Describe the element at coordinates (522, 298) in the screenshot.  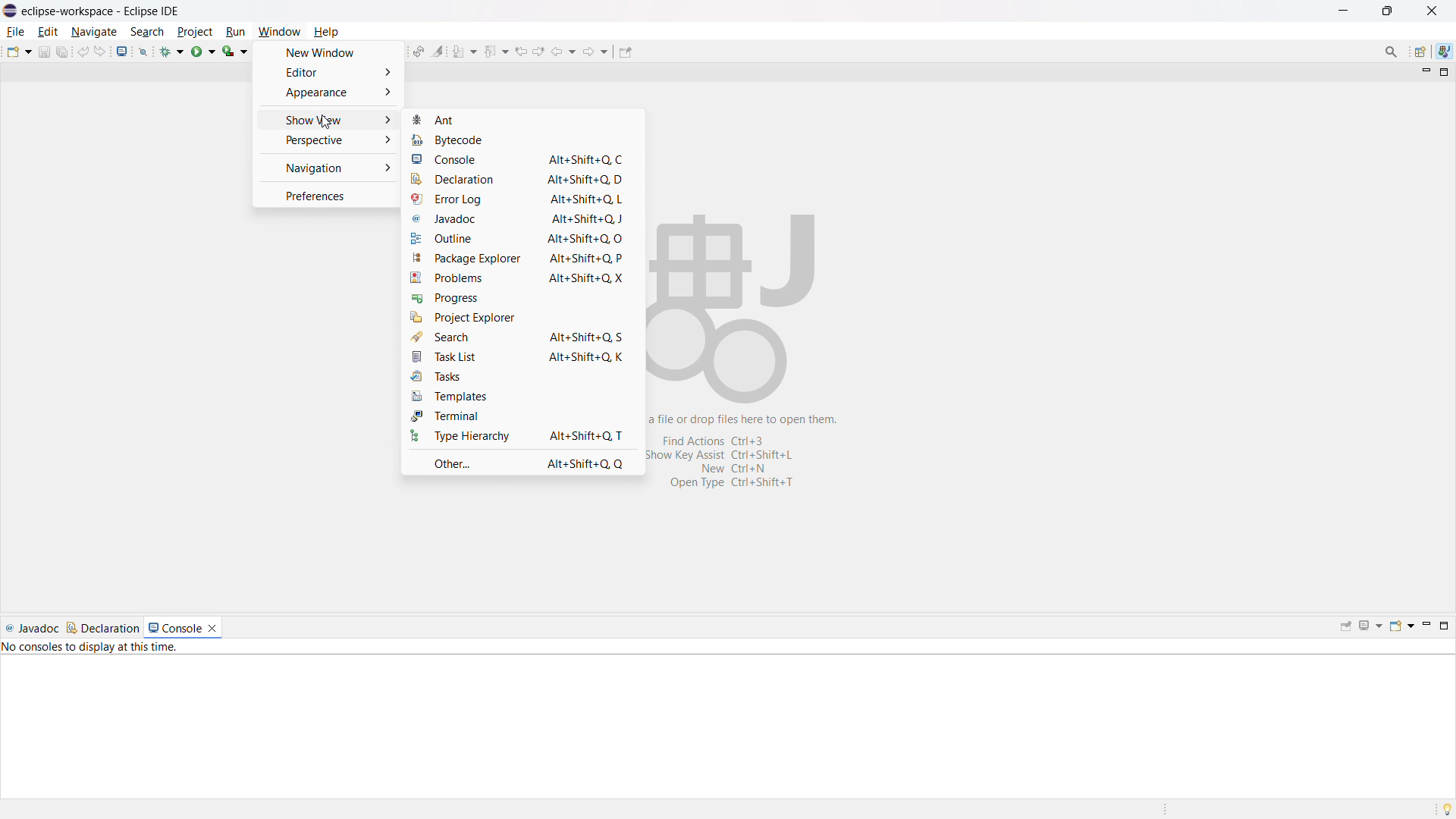
I see `progress` at that location.